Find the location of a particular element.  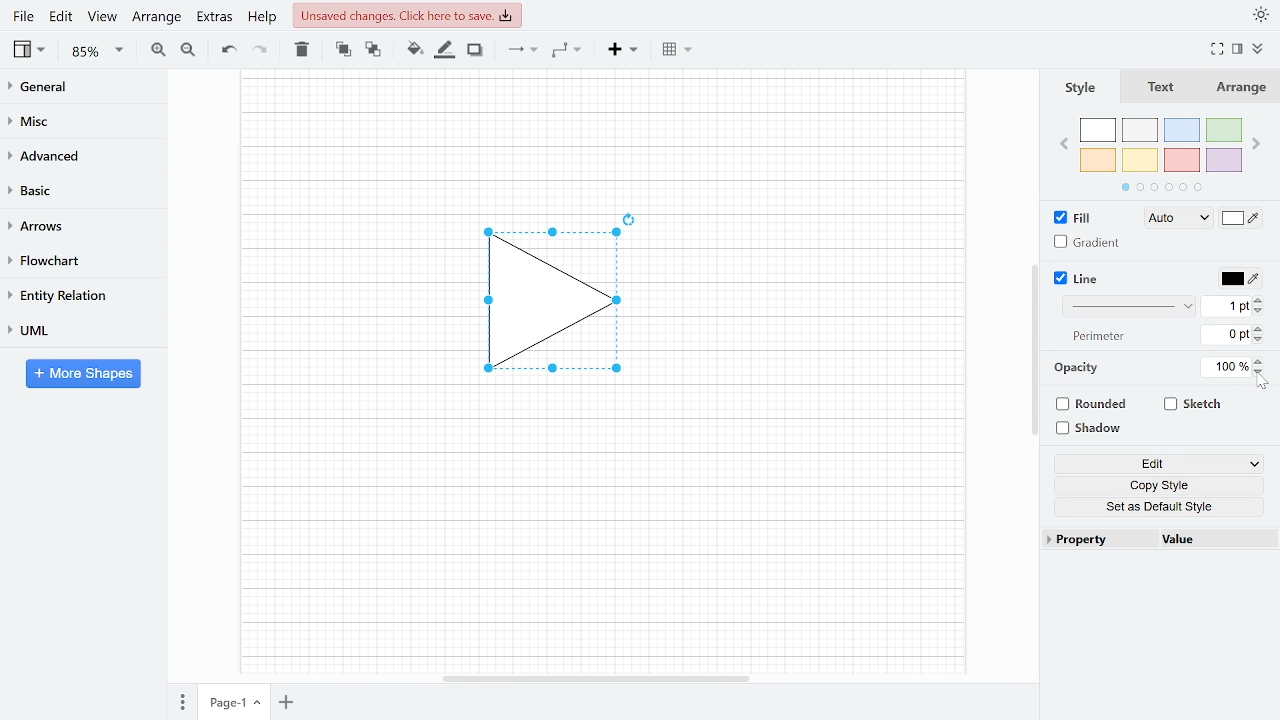

Style is located at coordinates (1078, 87).